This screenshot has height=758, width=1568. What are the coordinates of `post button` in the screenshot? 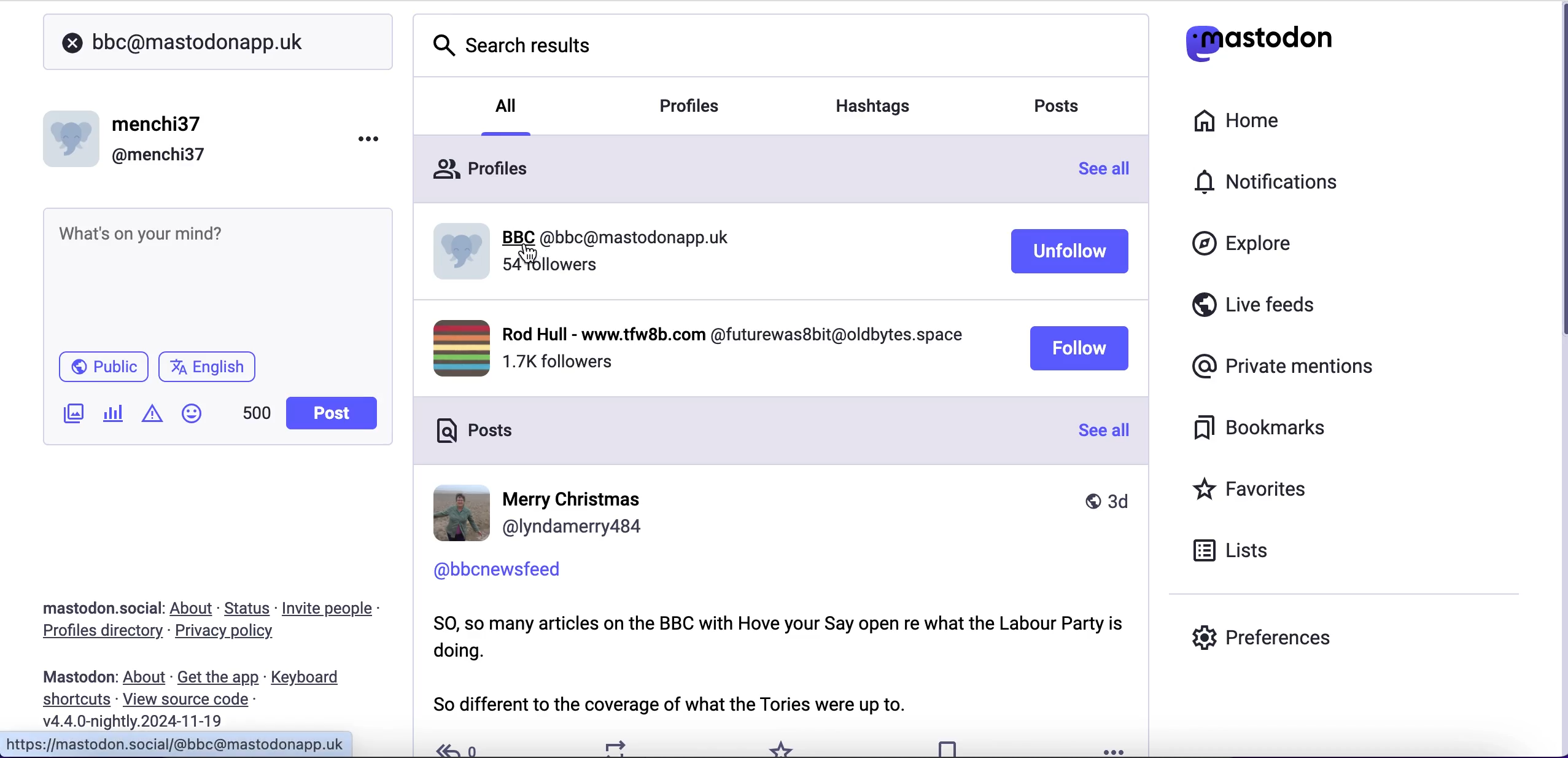 It's located at (335, 413).